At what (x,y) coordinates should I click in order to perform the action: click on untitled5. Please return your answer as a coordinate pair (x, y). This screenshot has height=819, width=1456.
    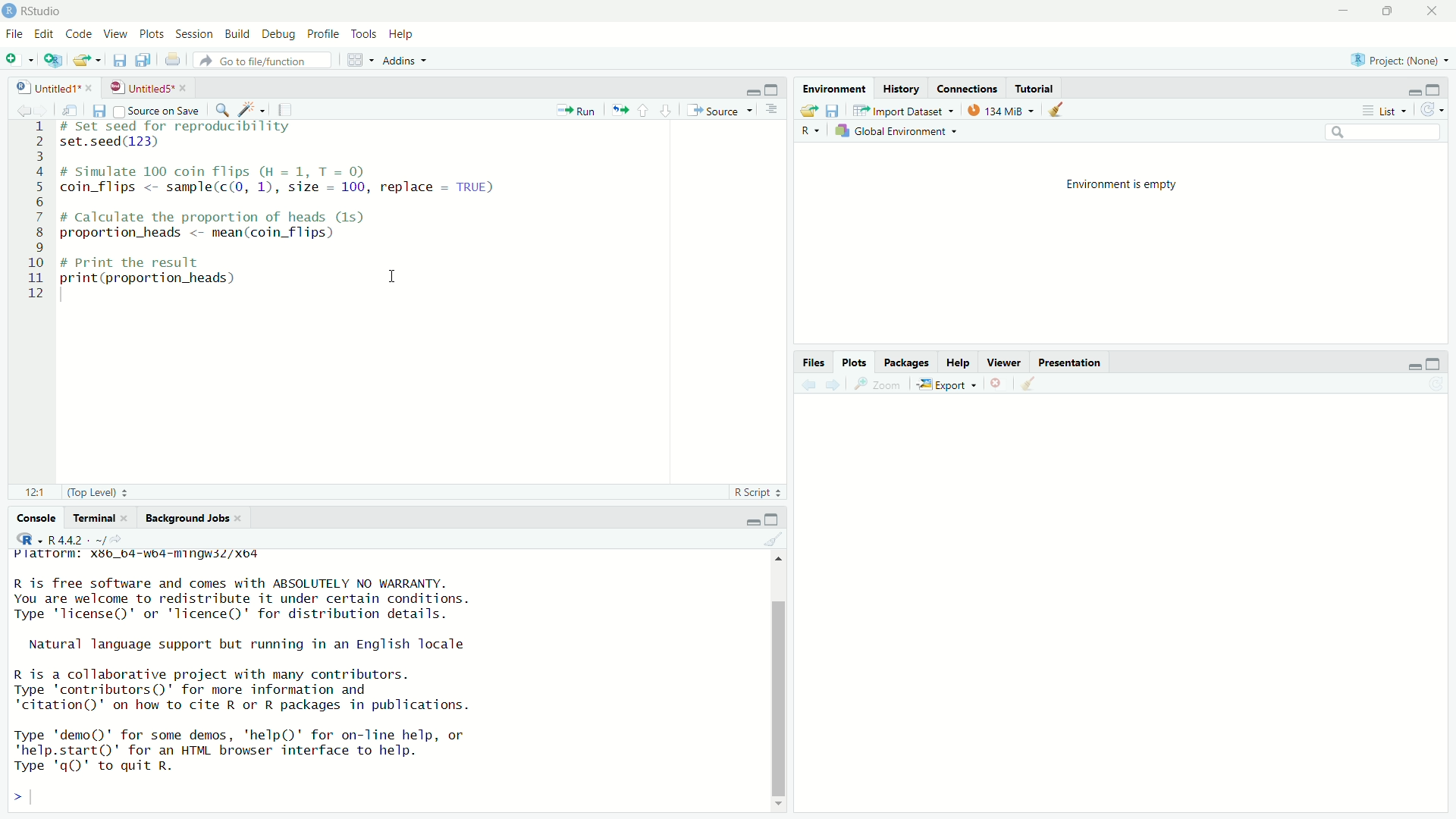
    Looking at the image, I should click on (139, 87).